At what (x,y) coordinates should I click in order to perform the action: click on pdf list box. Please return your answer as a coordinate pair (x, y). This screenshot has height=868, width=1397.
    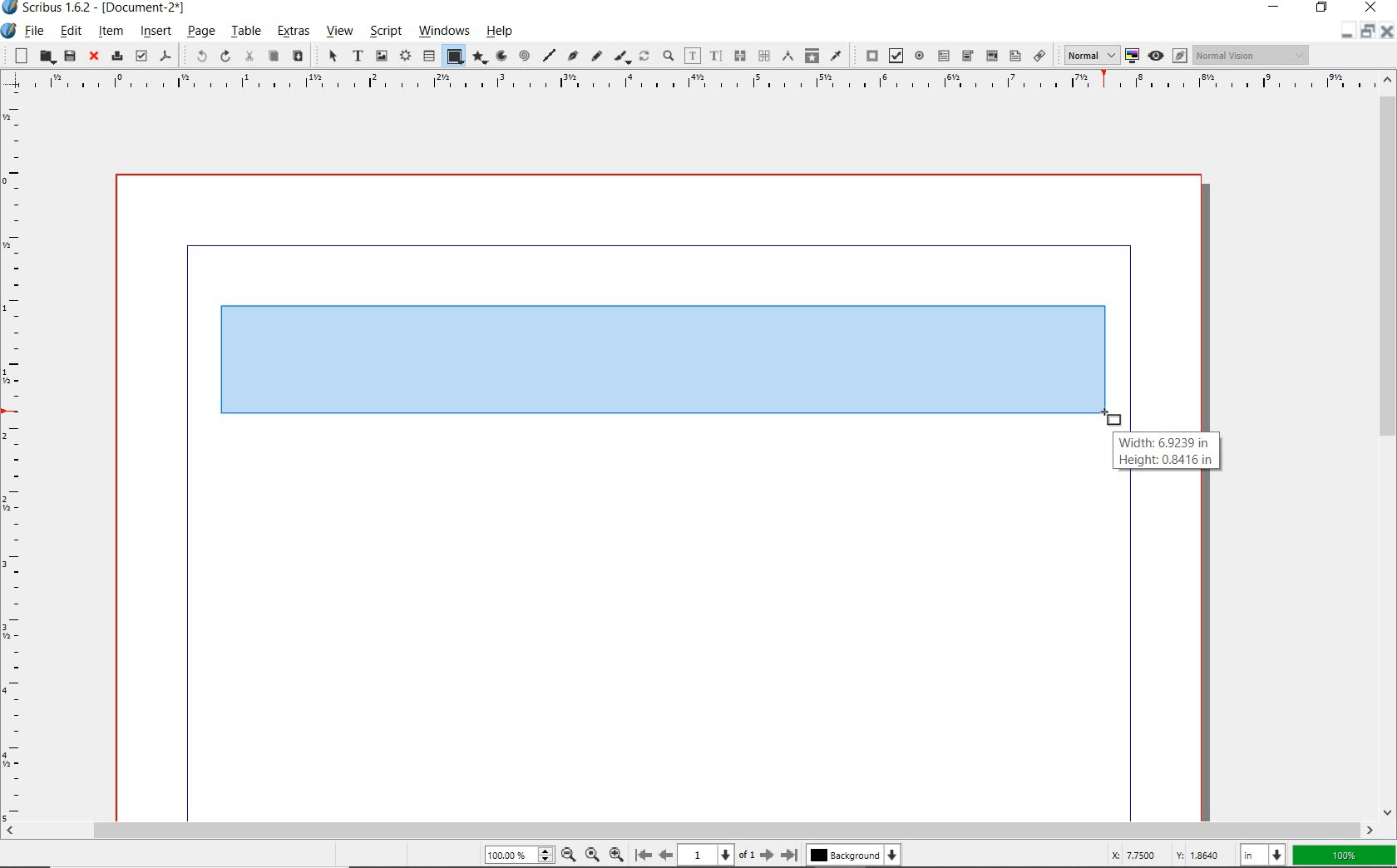
    Looking at the image, I should click on (1014, 55).